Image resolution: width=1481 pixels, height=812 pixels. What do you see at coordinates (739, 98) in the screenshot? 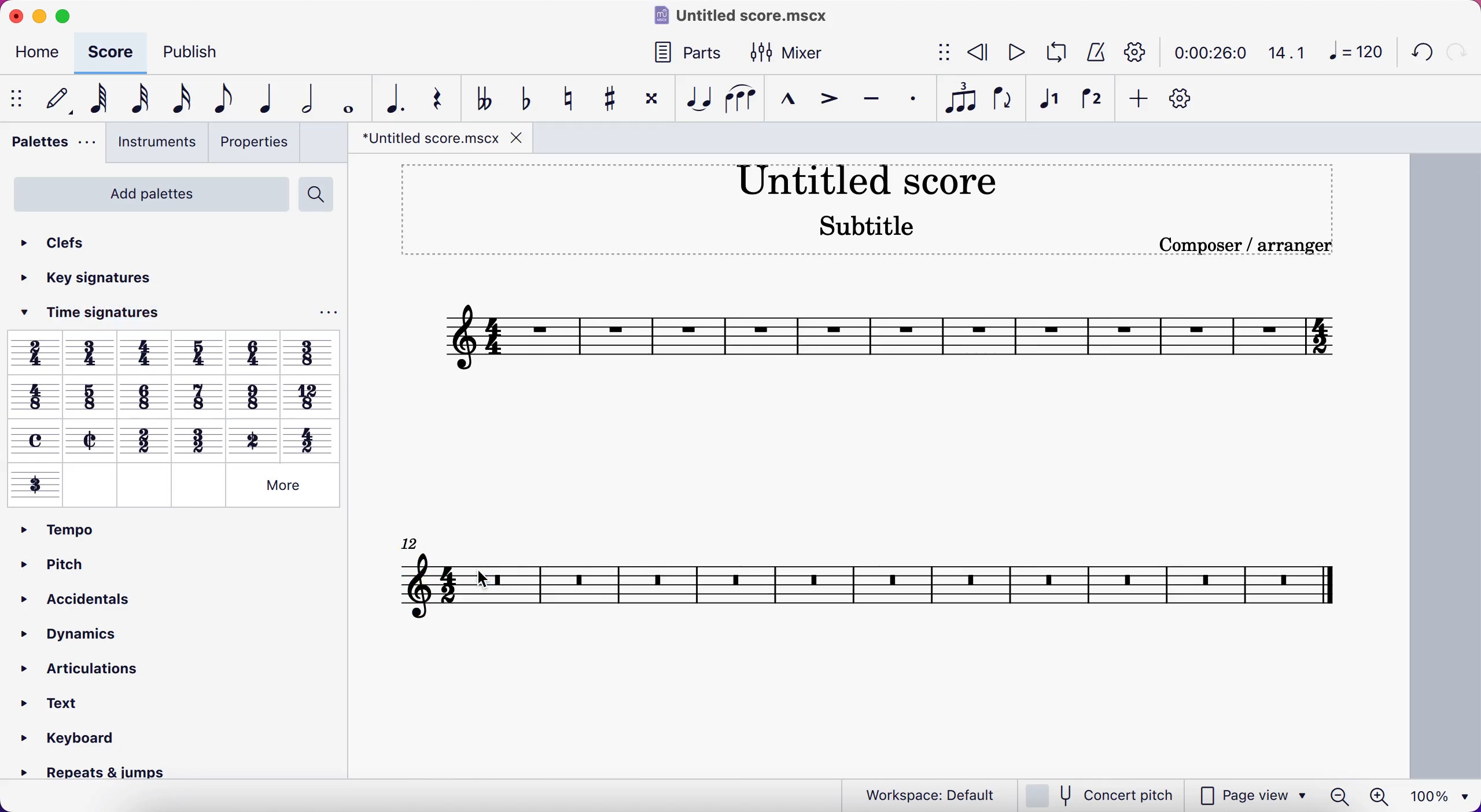
I see `slur` at bounding box center [739, 98].